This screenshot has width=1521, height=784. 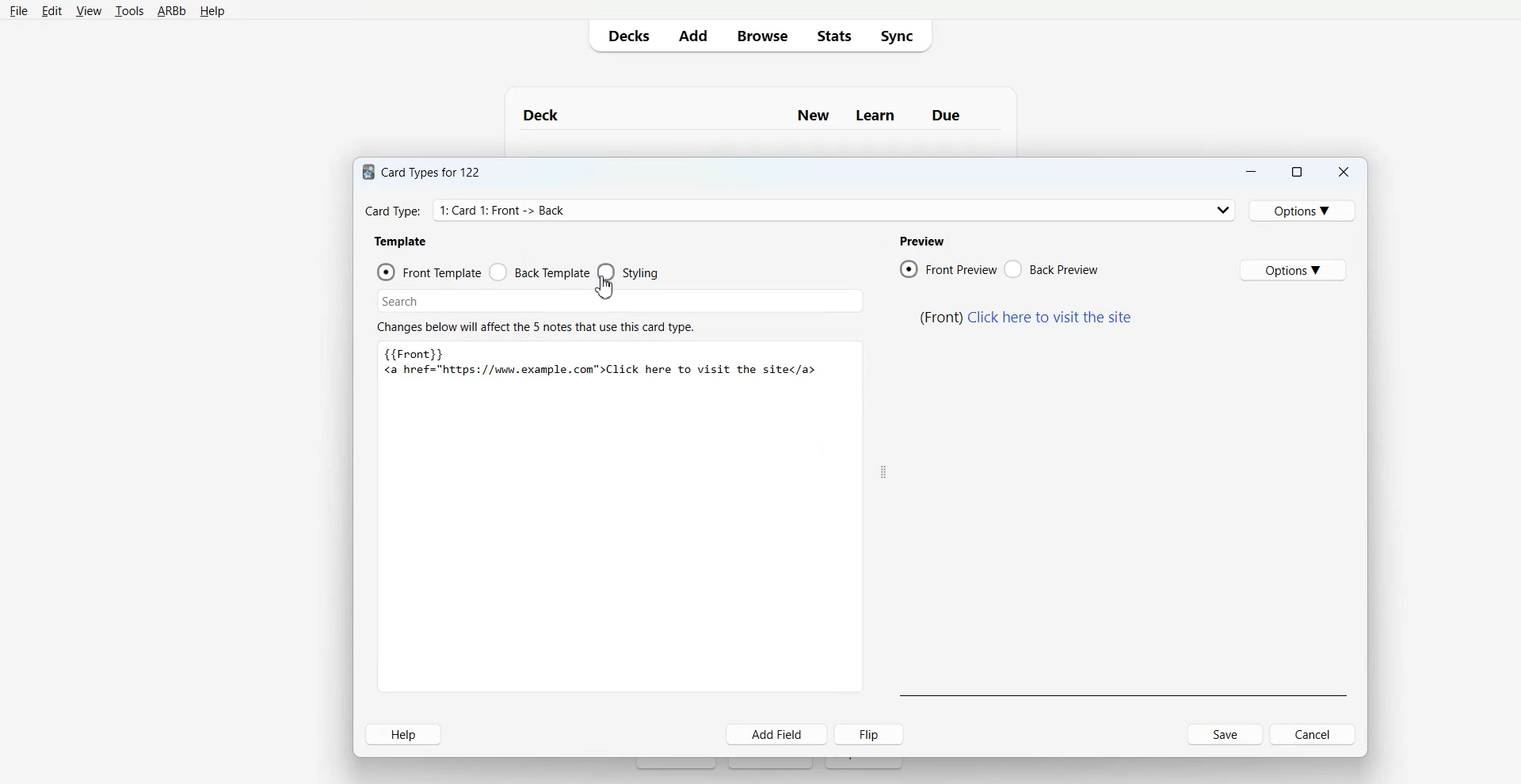 I want to click on cursor, so click(x=608, y=287).